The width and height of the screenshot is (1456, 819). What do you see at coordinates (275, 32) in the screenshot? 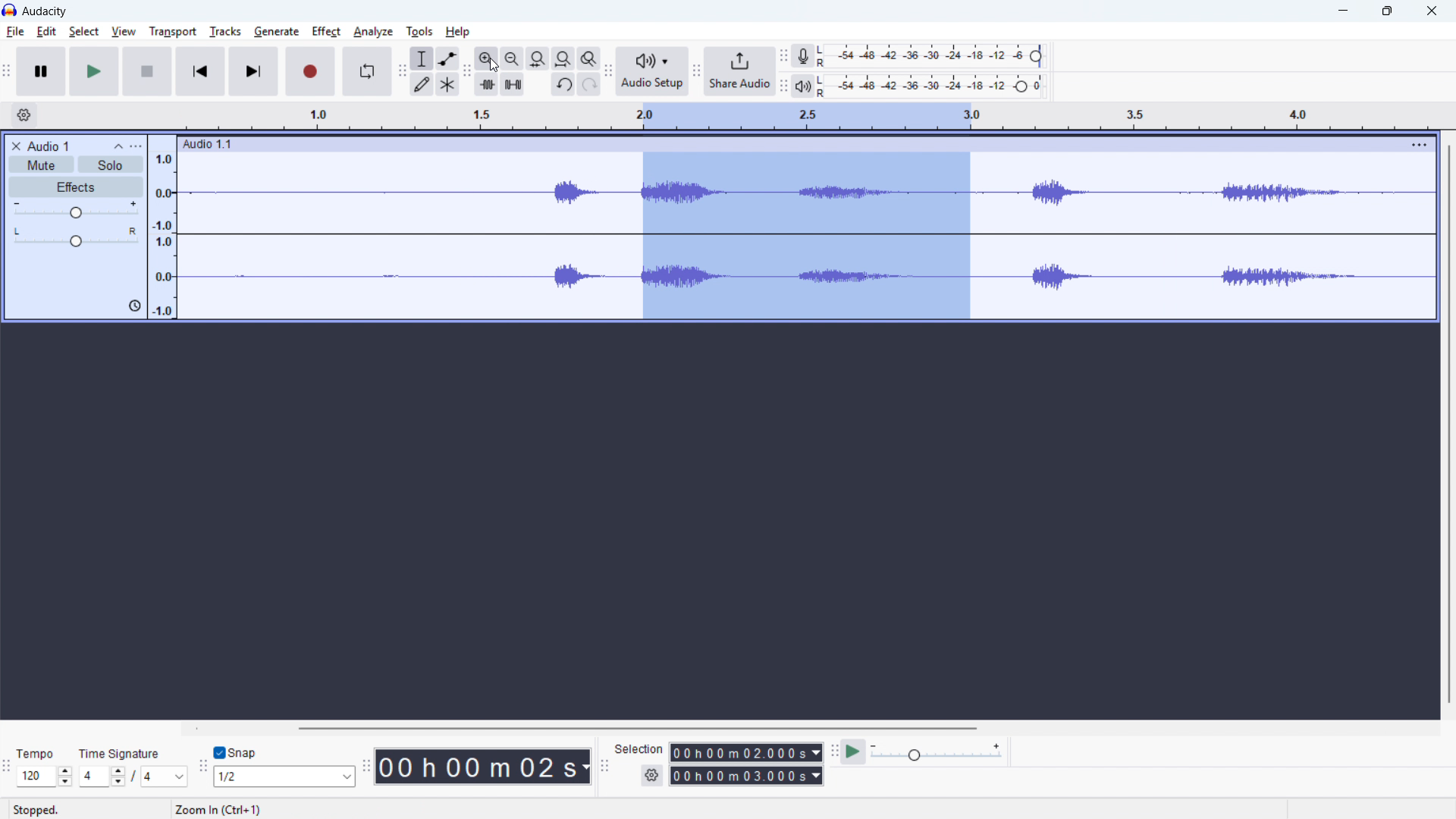
I see `Generate` at bounding box center [275, 32].